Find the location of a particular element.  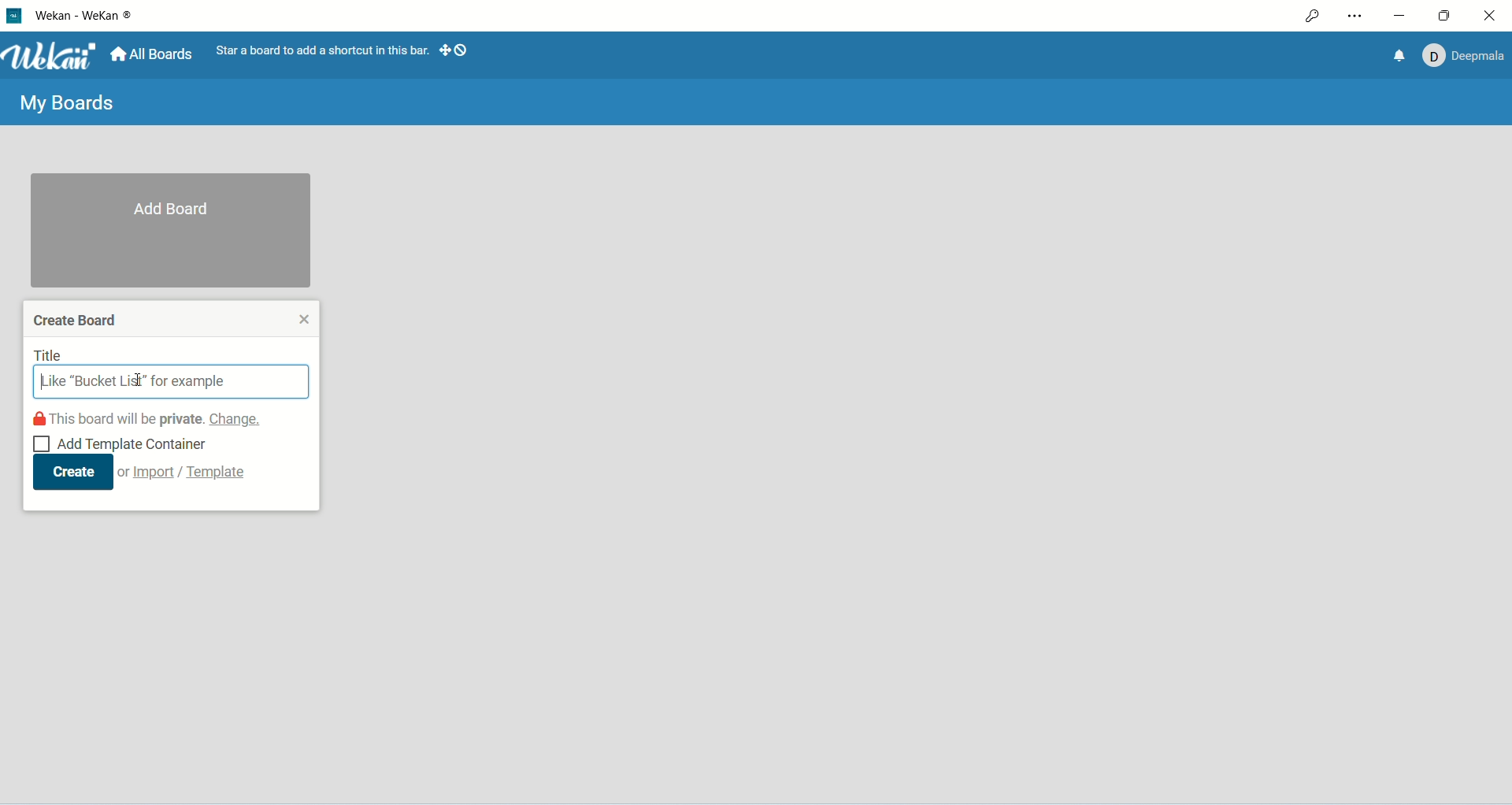

access permission is located at coordinates (1313, 16).